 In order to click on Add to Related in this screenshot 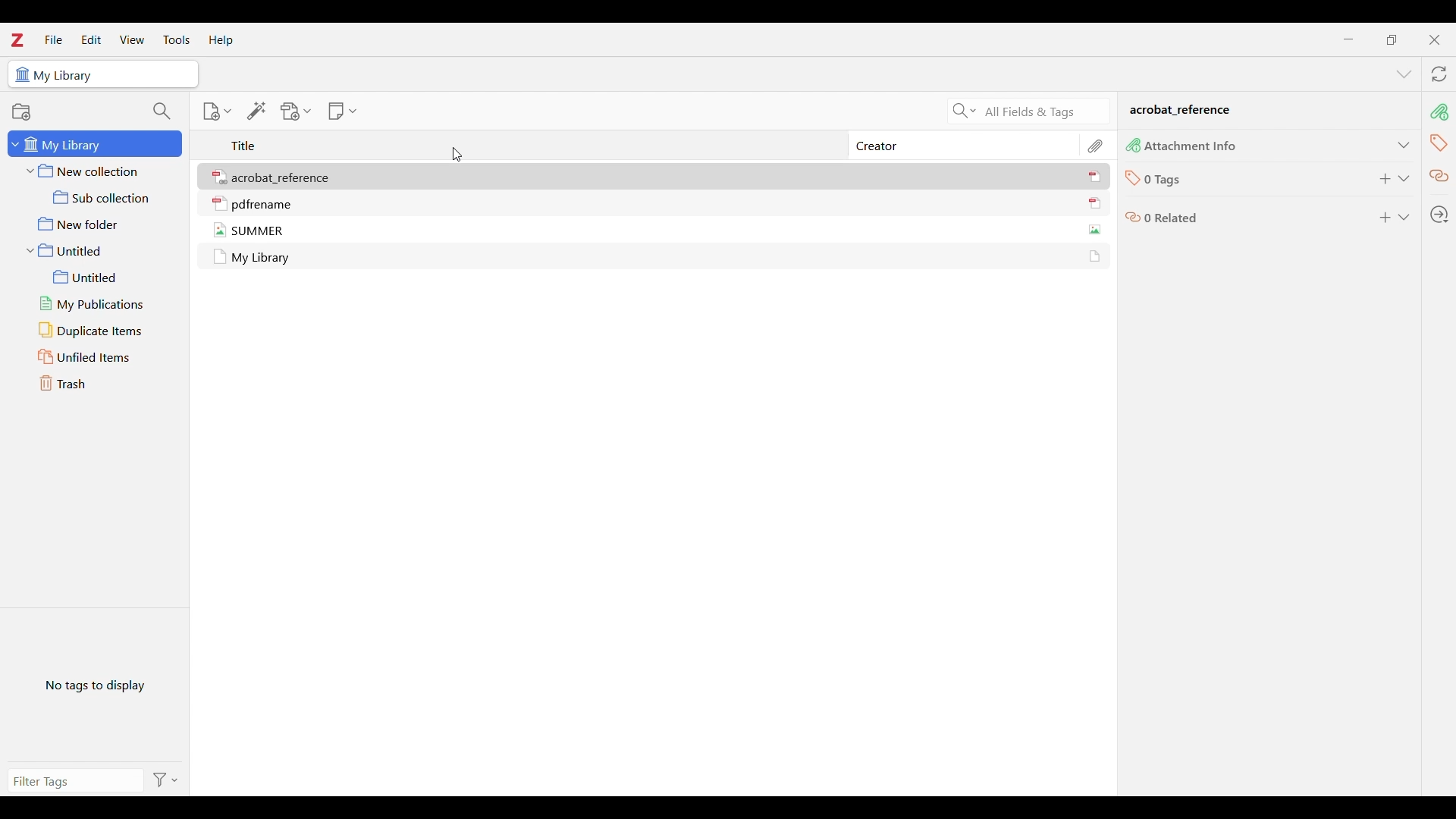, I will do `click(1386, 218)`.